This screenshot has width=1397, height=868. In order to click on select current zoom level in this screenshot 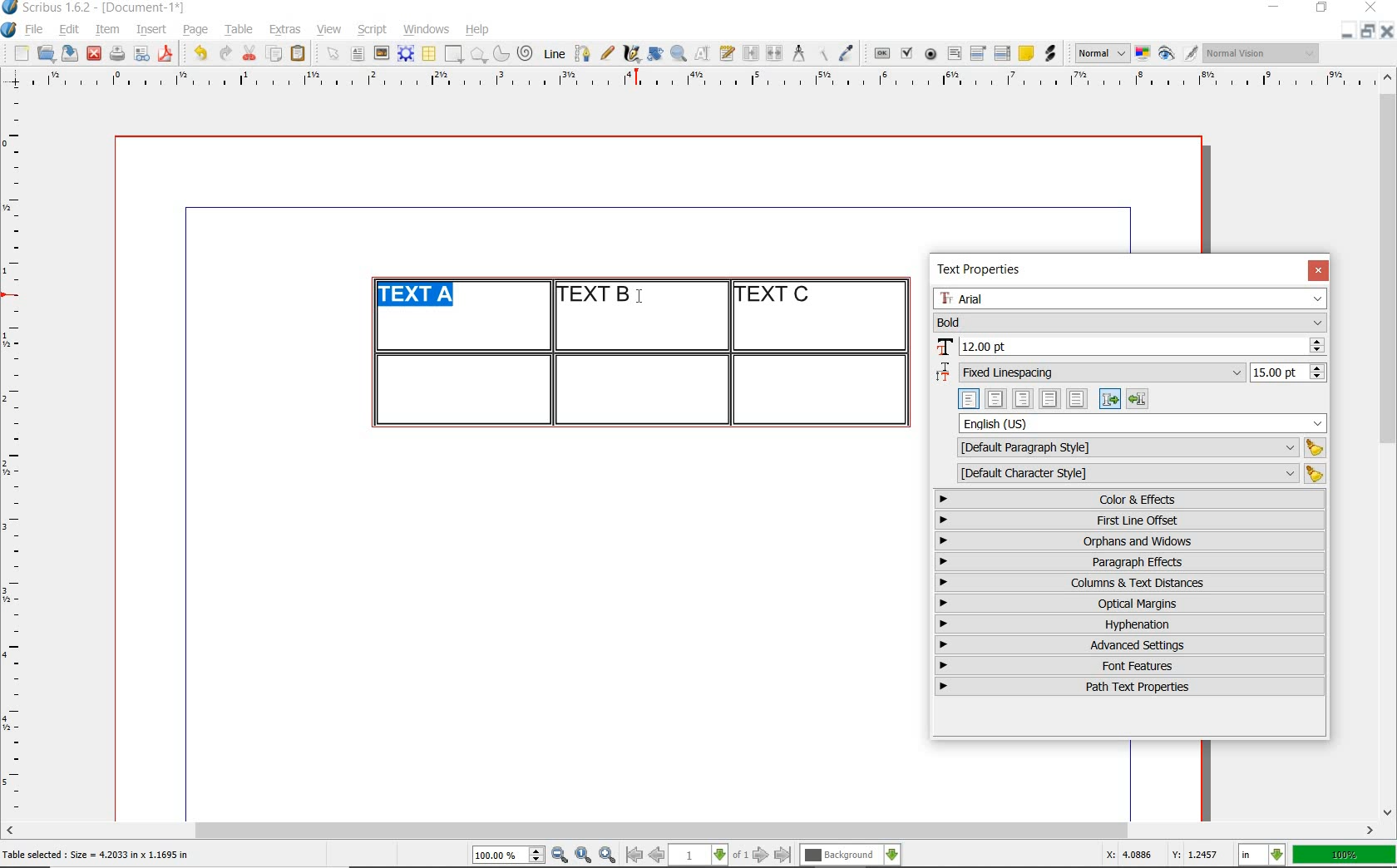, I will do `click(509, 855)`.